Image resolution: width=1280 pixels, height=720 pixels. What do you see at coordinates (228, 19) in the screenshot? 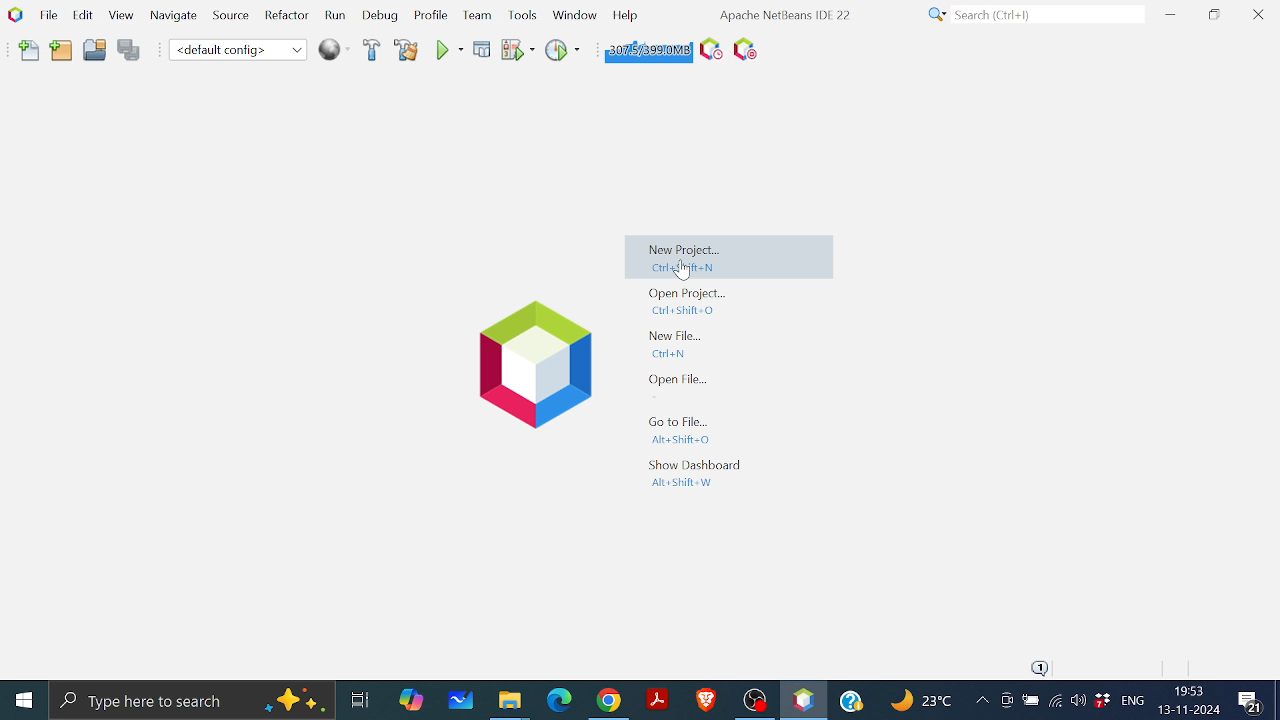
I see `Source` at bounding box center [228, 19].